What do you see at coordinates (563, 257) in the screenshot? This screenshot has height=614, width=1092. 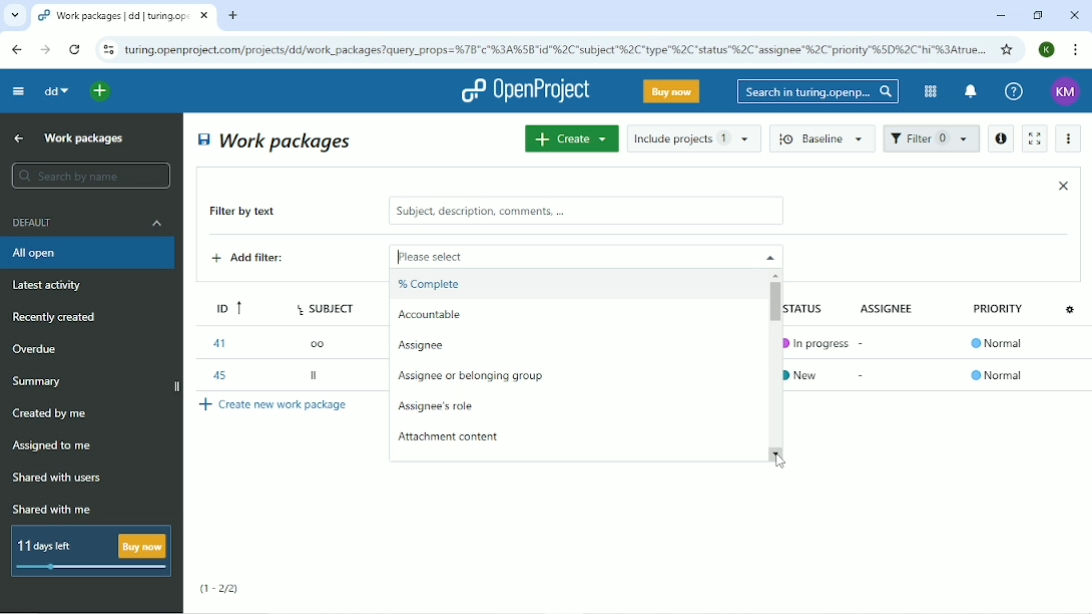 I see `Please select` at bounding box center [563, 257].